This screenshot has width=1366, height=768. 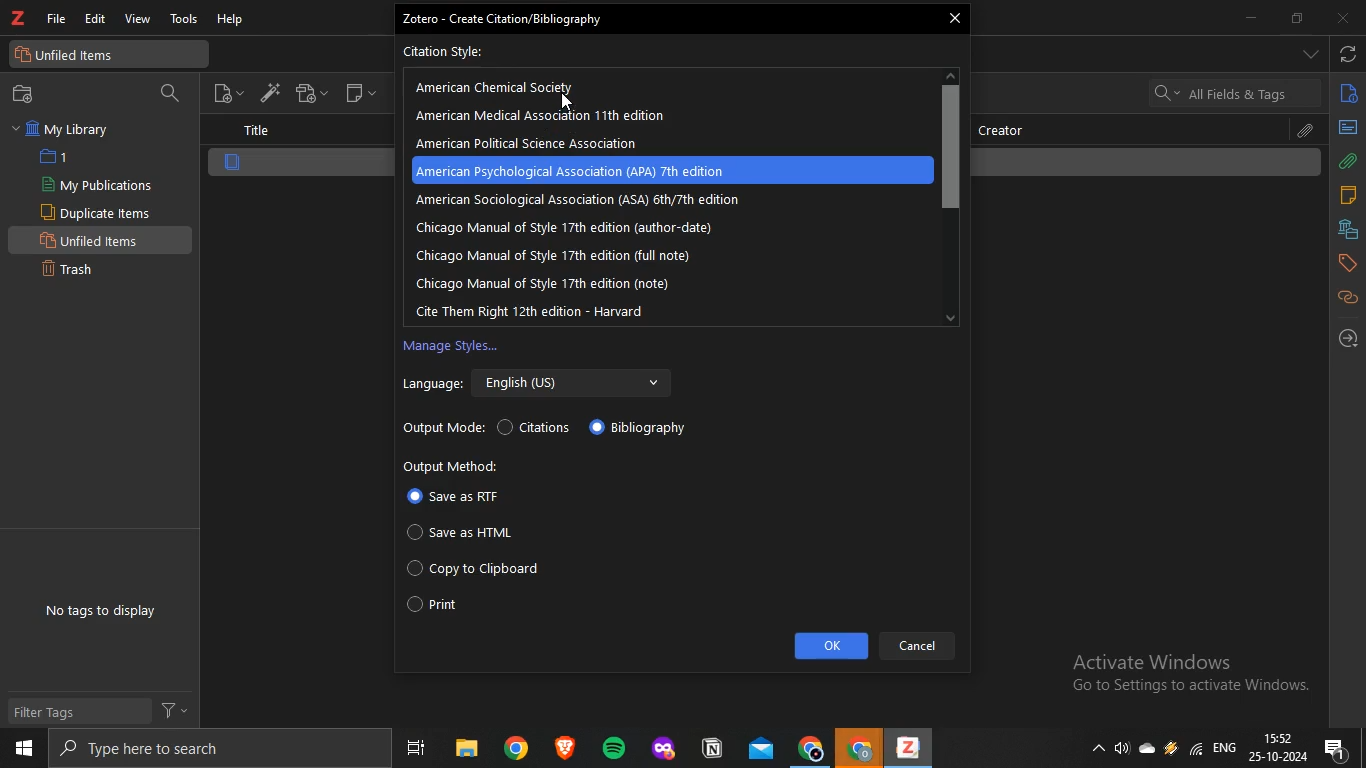 I want to click on edit, so click(x=95, y=20).